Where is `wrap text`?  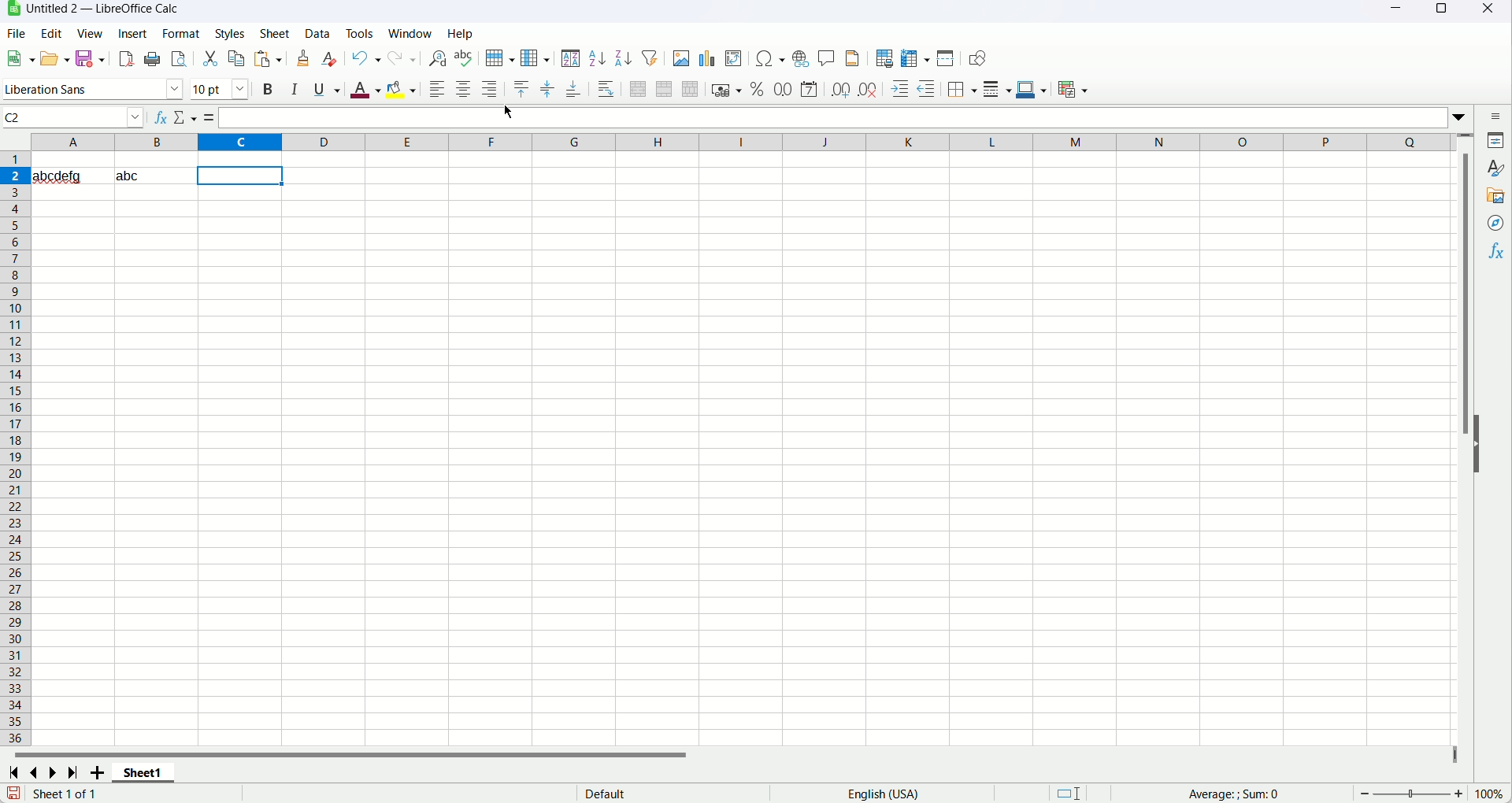
wrap text is located at coordinates (608, 91).